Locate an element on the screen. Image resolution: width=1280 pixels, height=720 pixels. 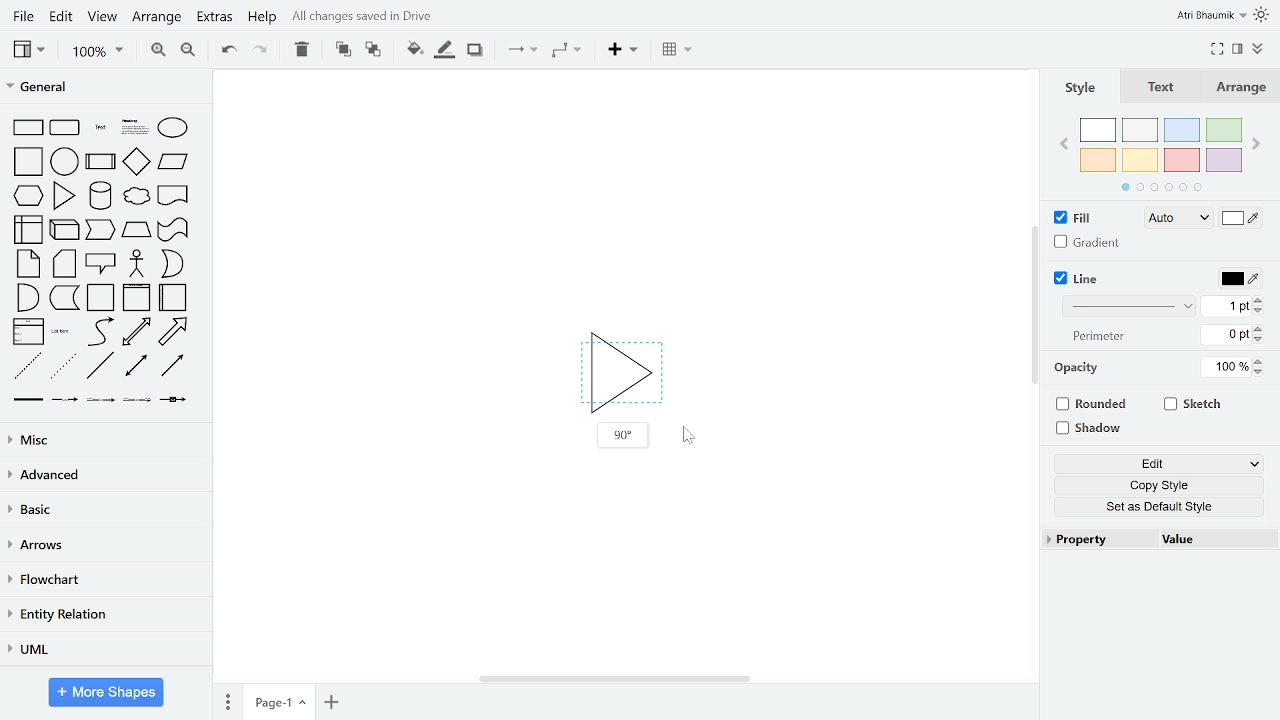
add page is located at coordinates (330, 700).